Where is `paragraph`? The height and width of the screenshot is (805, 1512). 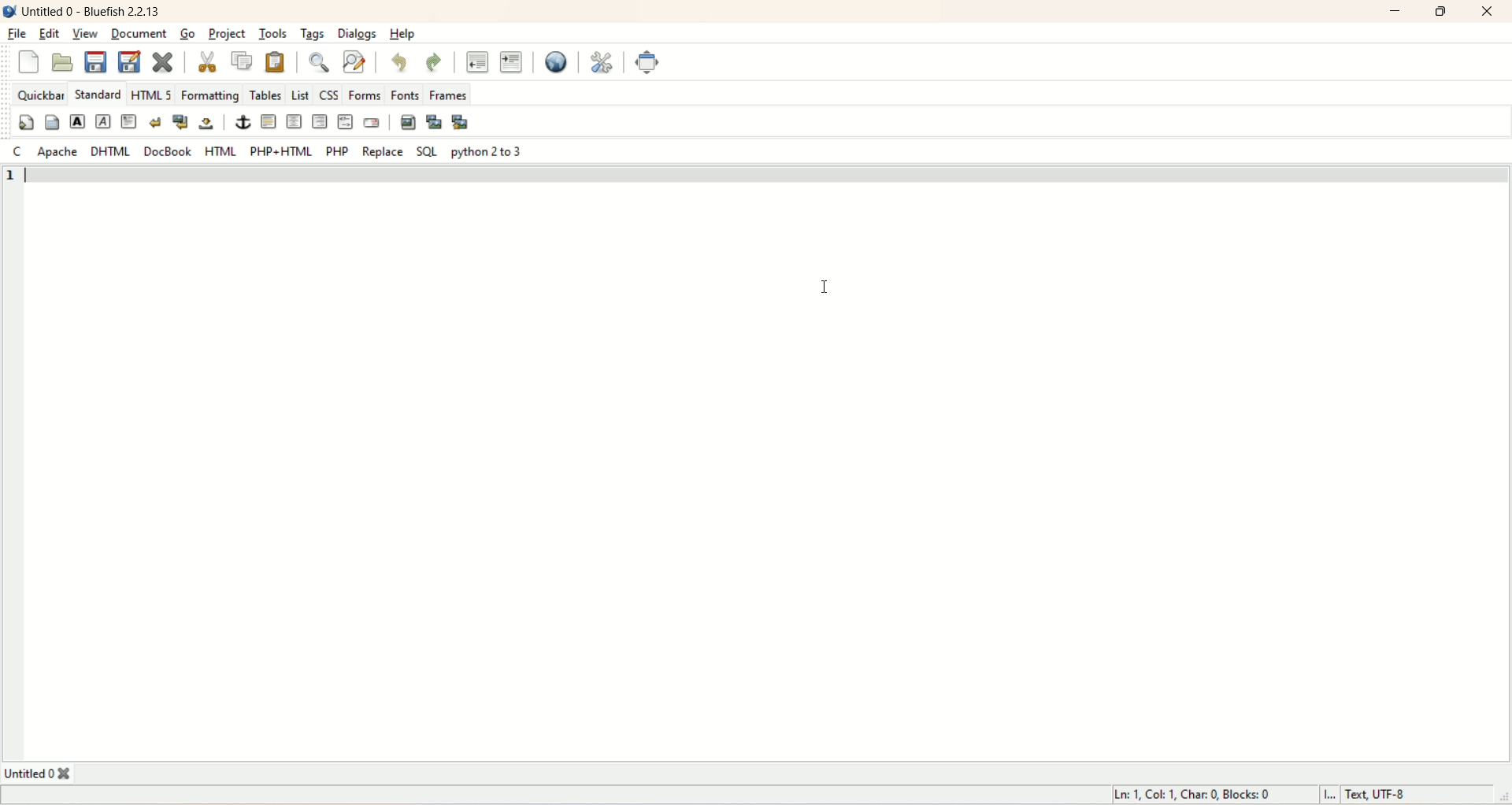 paragraph is located at coordinates (128, 123).